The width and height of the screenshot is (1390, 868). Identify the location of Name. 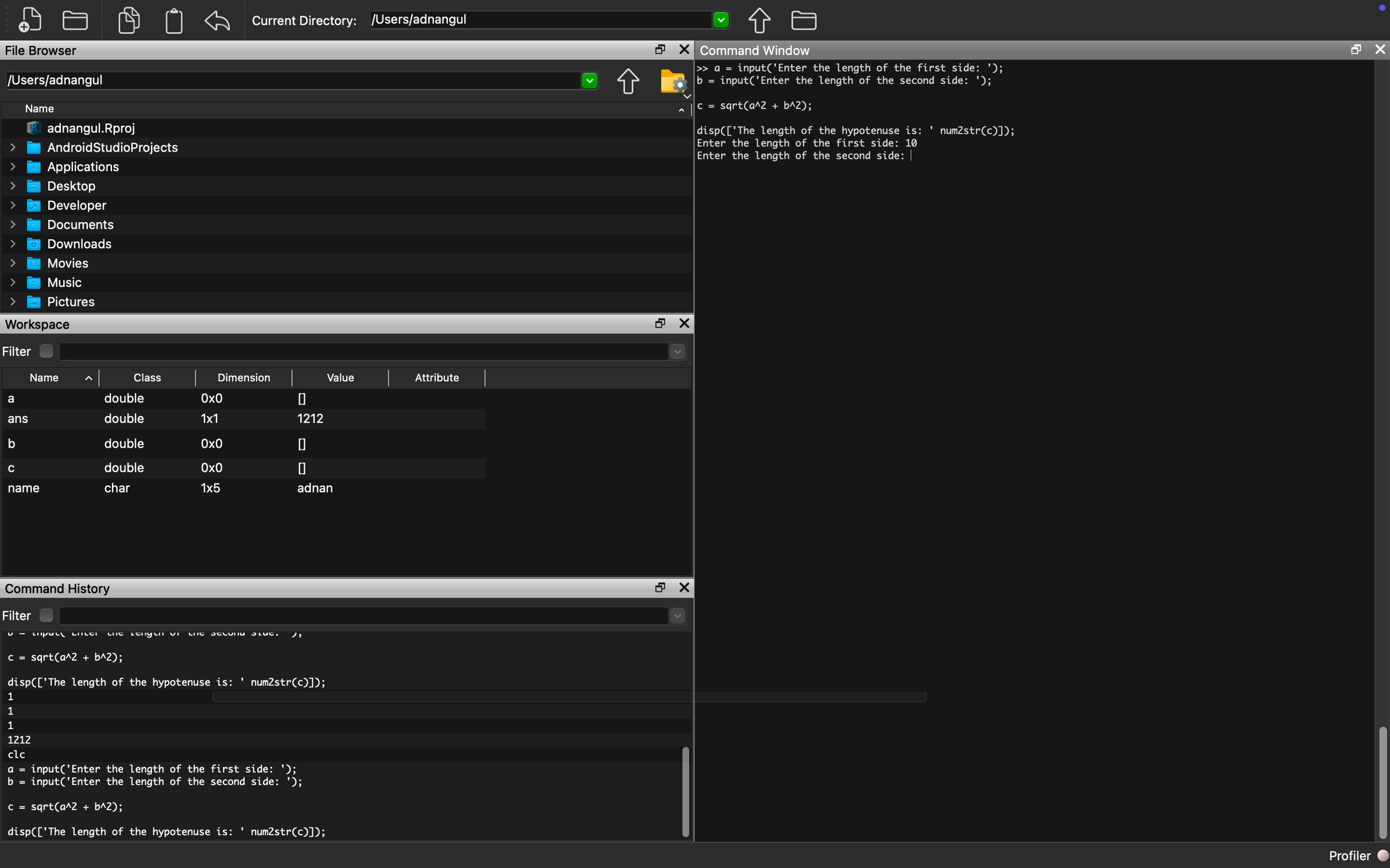
(45, 110).